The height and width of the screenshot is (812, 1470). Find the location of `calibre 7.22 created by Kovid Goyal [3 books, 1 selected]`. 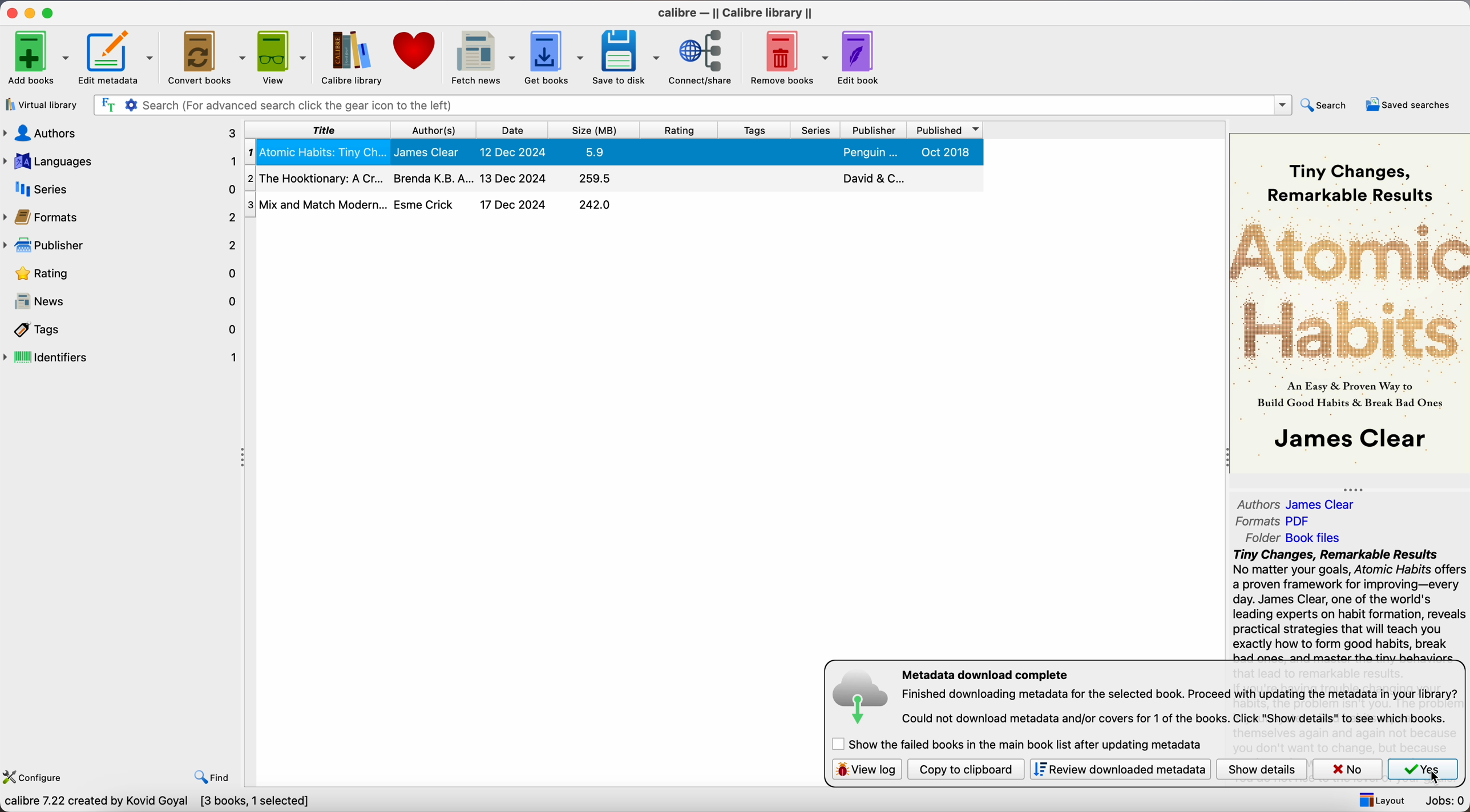

calibre 7.22 created by Kovid Goyal [3 books, 1 selected] is located at coordinates (155, 802).